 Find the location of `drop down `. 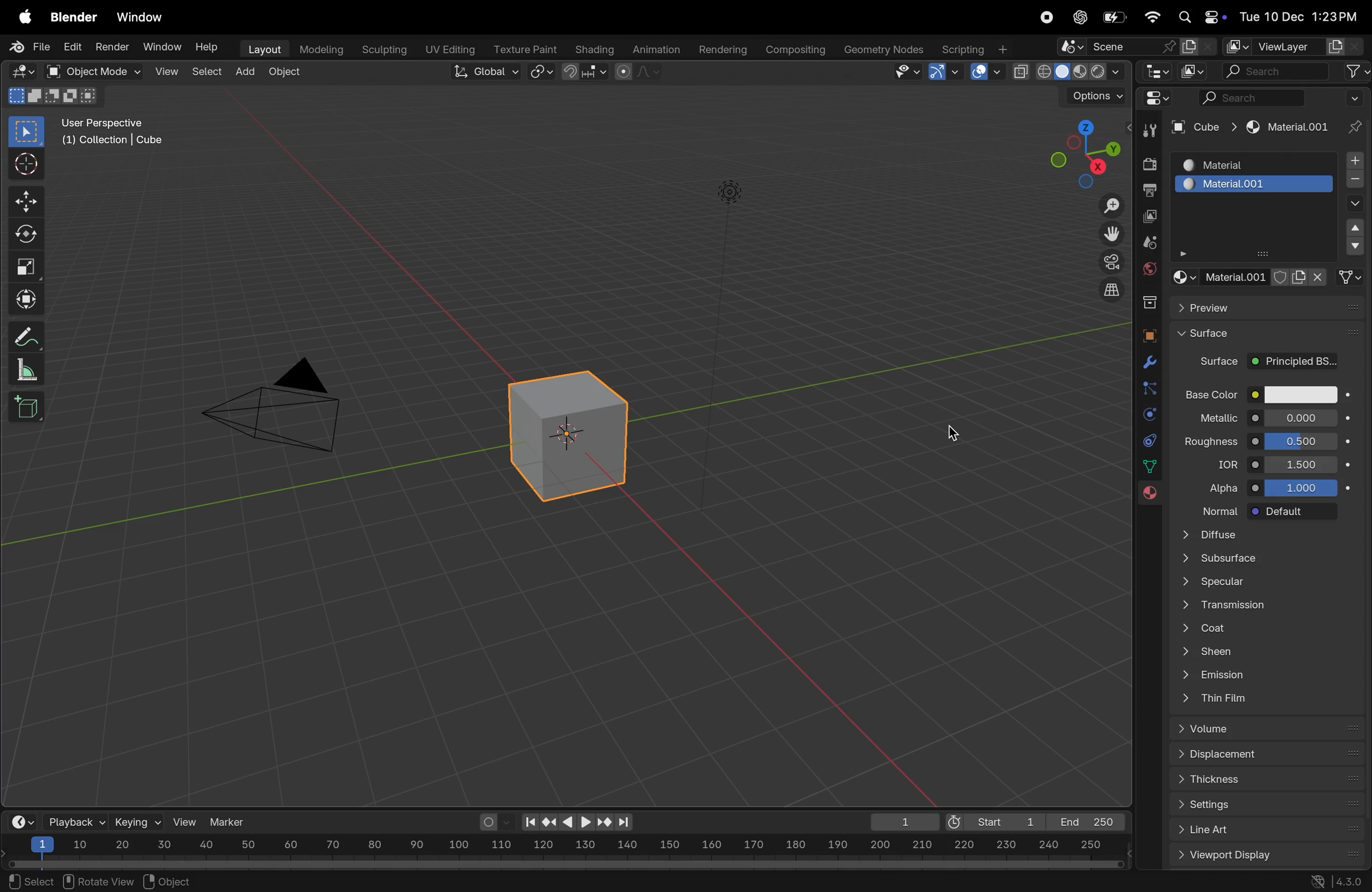

drop down  is located at coordinates (1356, 230).